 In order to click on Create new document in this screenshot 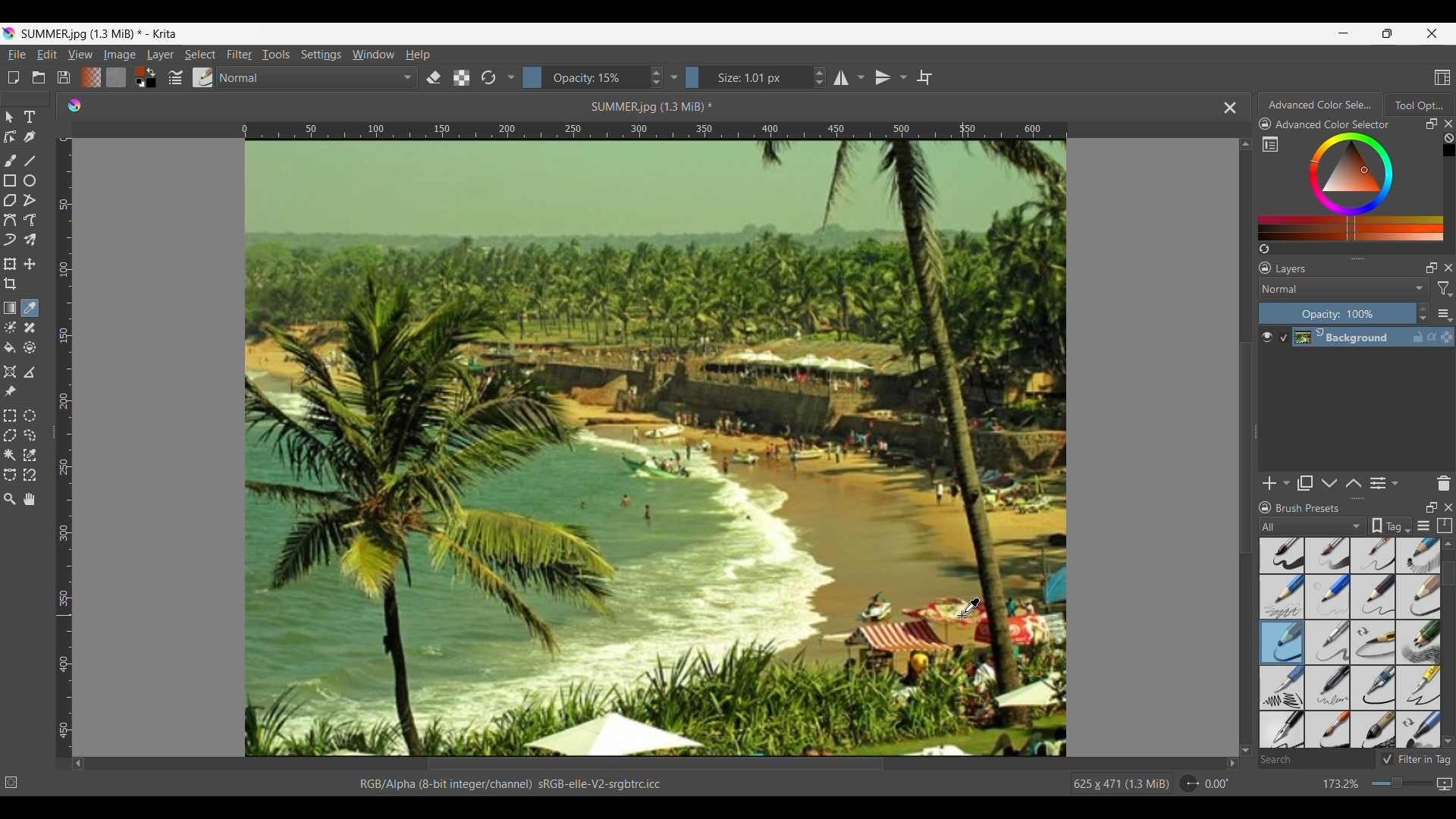, I will do `click(13, 78)`.